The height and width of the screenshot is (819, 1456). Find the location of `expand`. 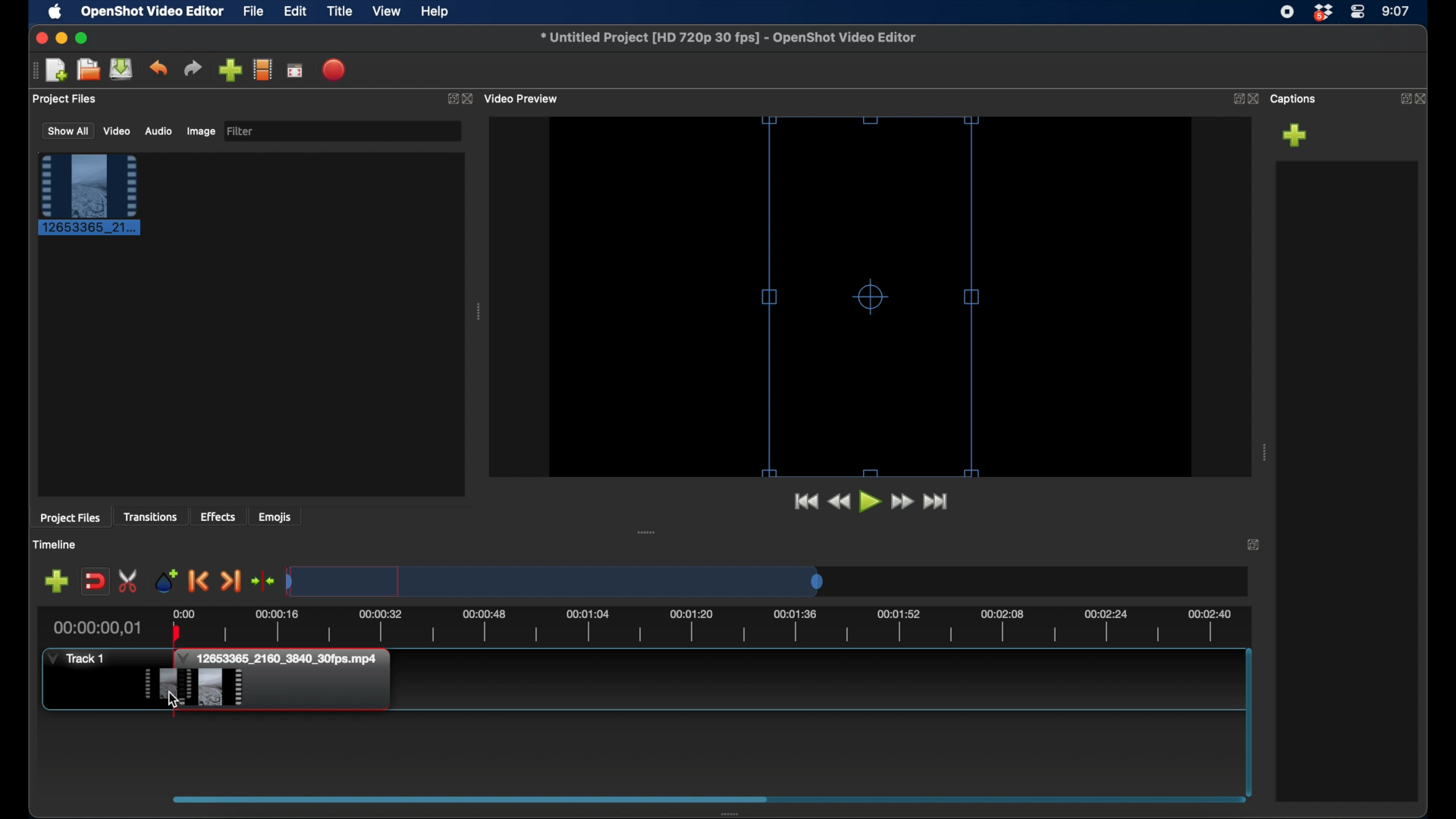

expand is located at coordinates (1235, 99).